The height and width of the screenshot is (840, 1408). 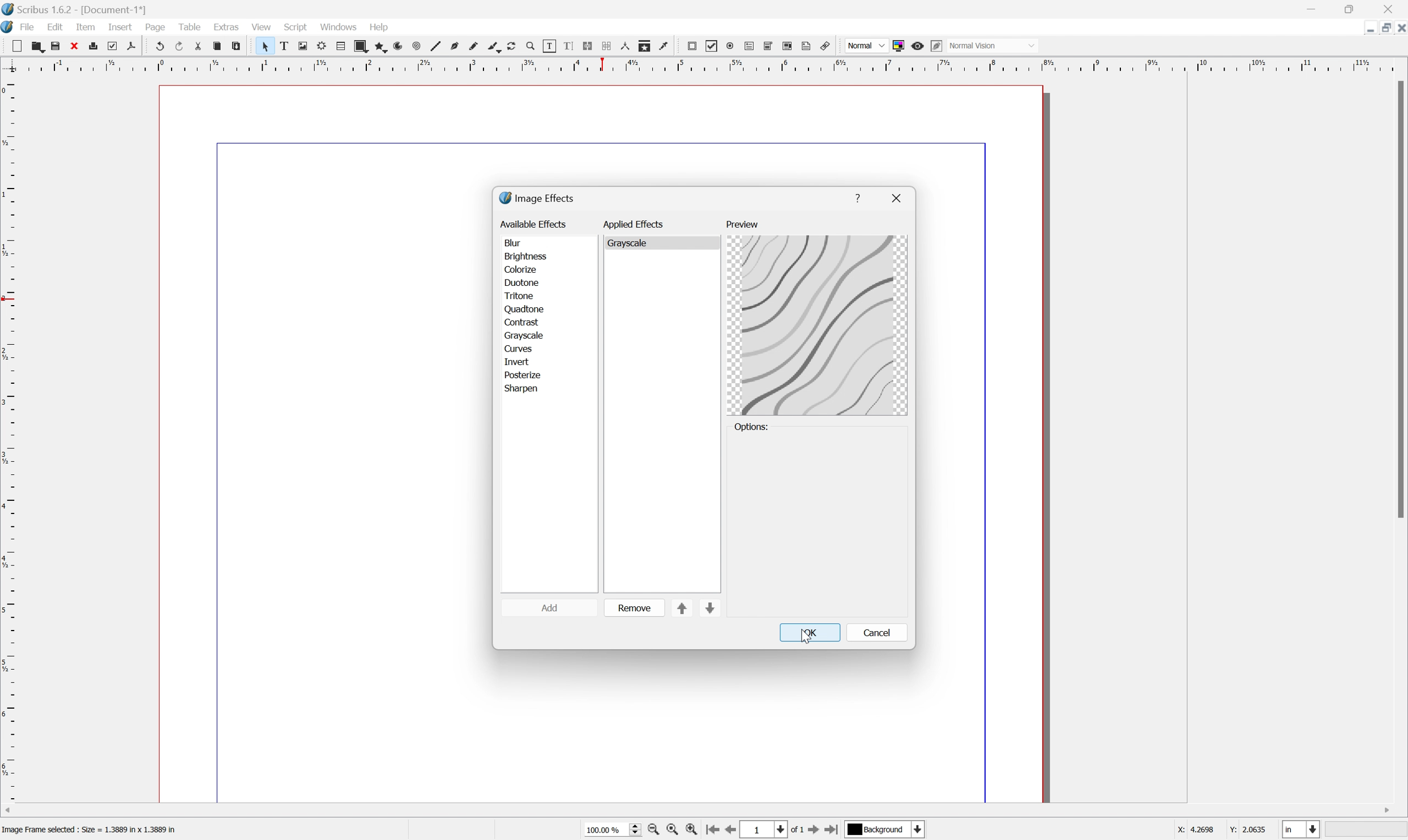 What do you see at coordinates (458, 47) in the screenshot?
I see `Bezier curve` at bounding box center [458, 47].